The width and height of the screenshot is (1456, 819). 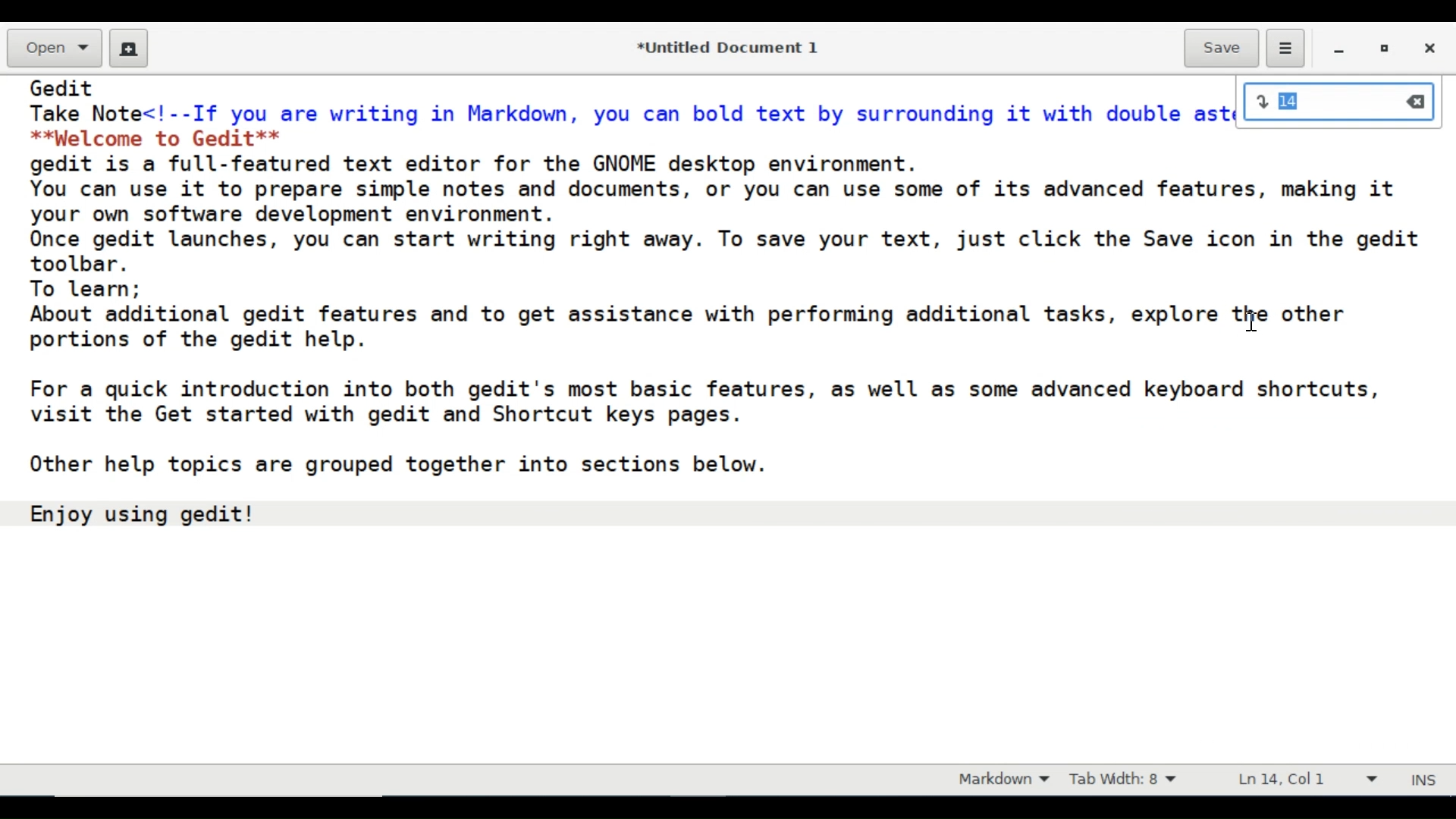 What do you see at coordinates (1426, 781) in the screenshot?
I see `INS` at bounding box center [1426, 781].